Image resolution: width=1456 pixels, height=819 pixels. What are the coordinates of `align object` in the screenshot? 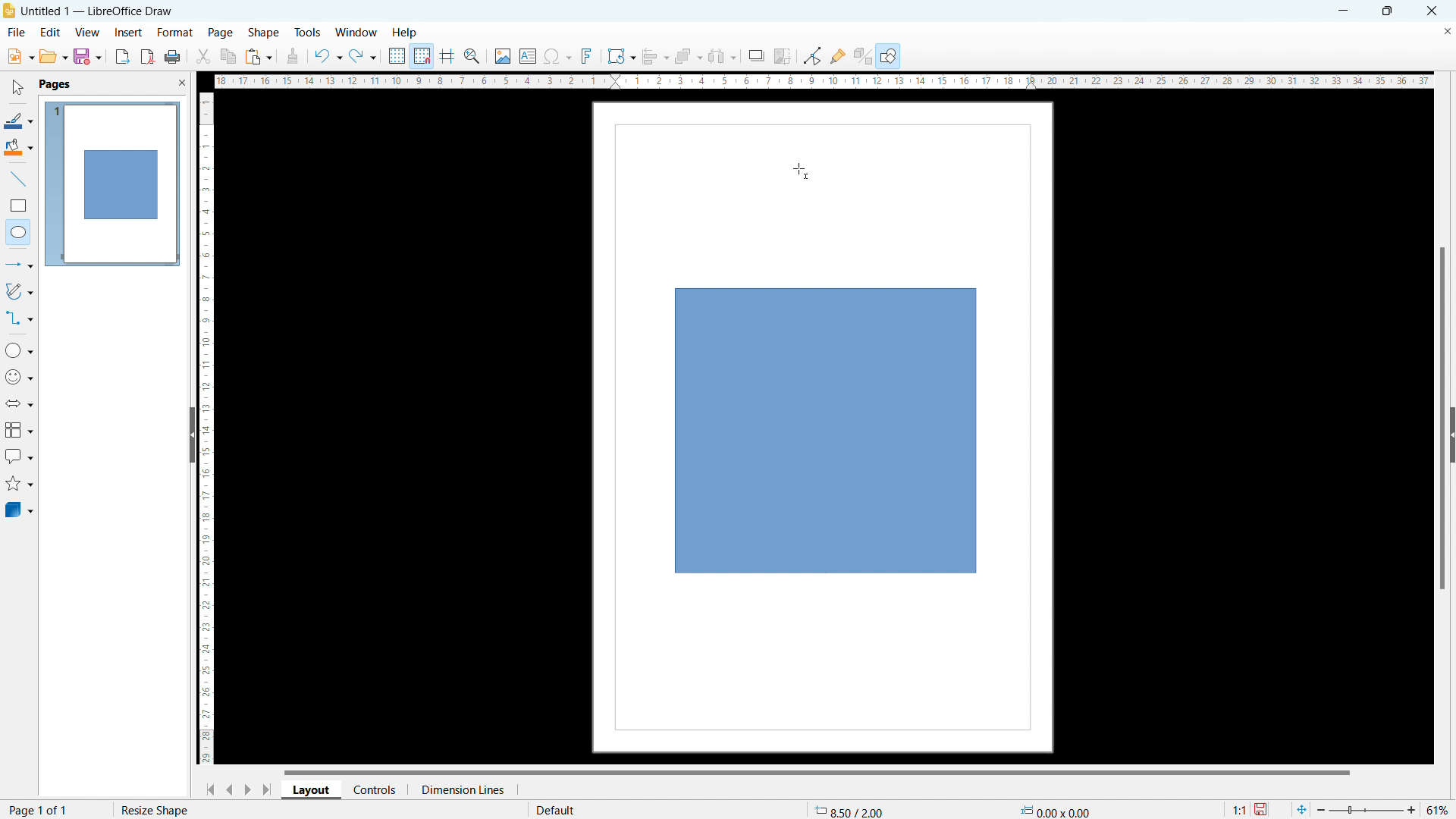 It's located at (654, 56).